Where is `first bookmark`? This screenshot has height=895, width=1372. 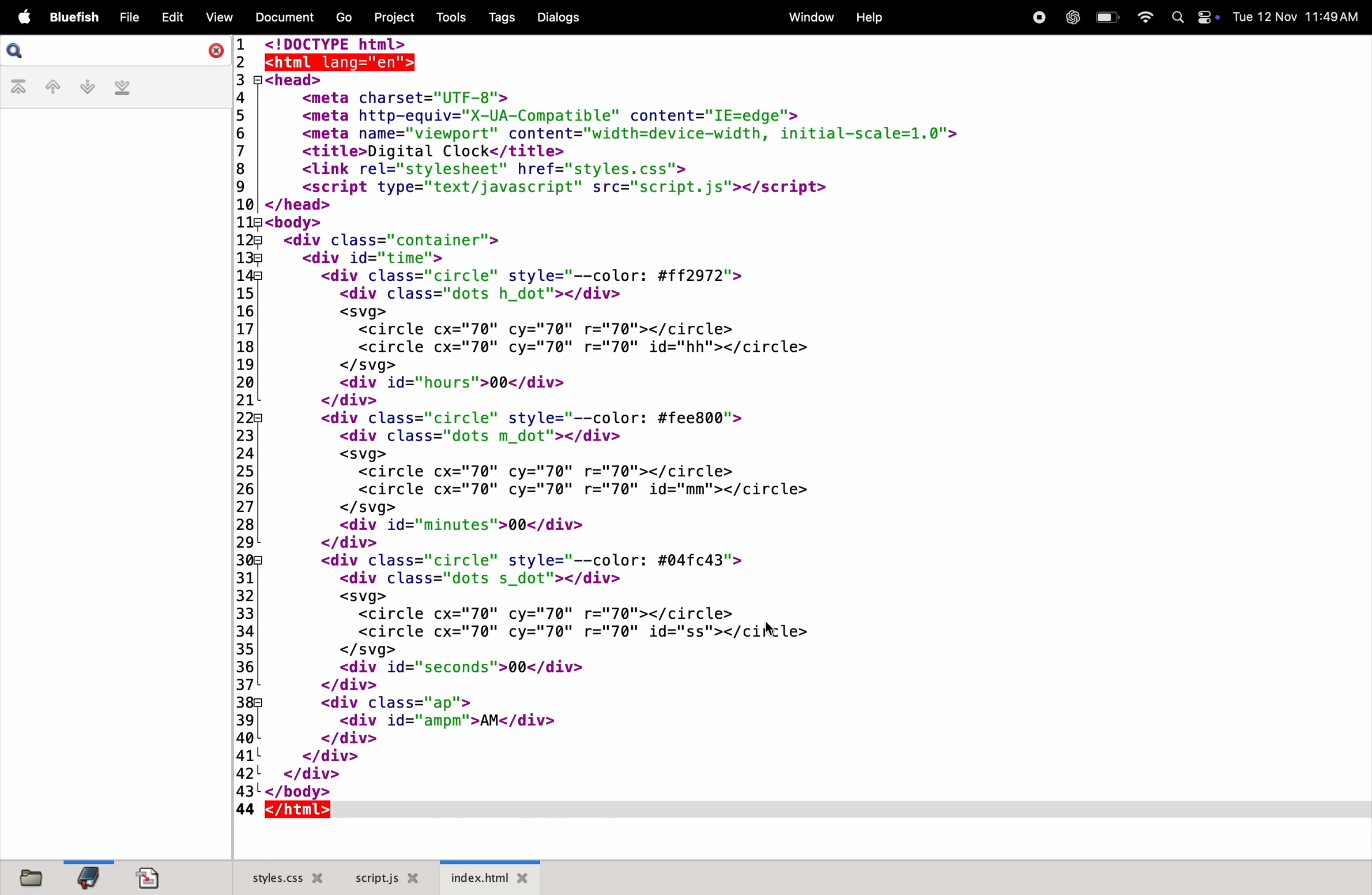
first bookmark is located at coordinates (20, 88).